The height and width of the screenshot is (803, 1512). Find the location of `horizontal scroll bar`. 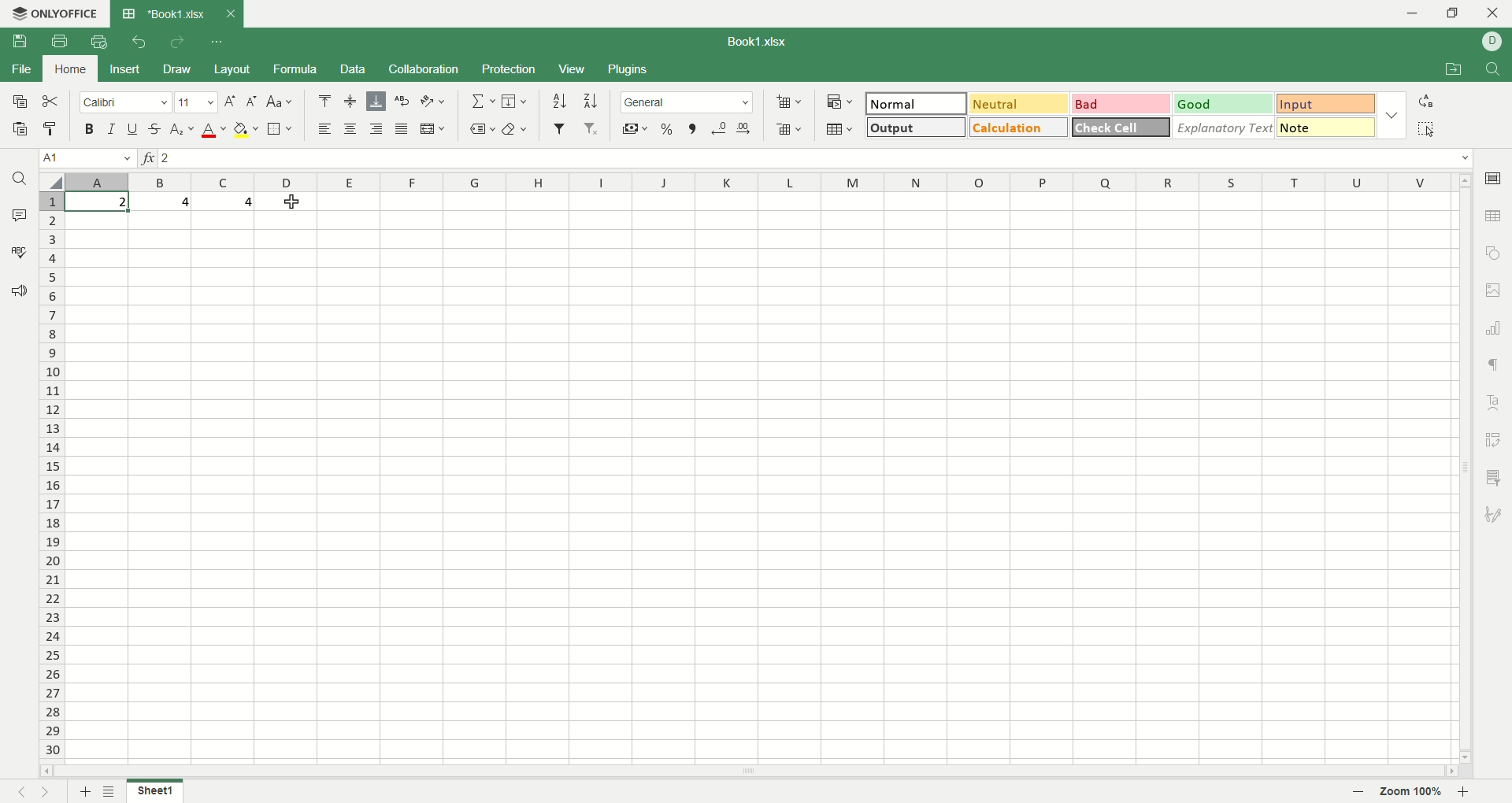

horizontal scroll bar is located at coordinates (750, 772).